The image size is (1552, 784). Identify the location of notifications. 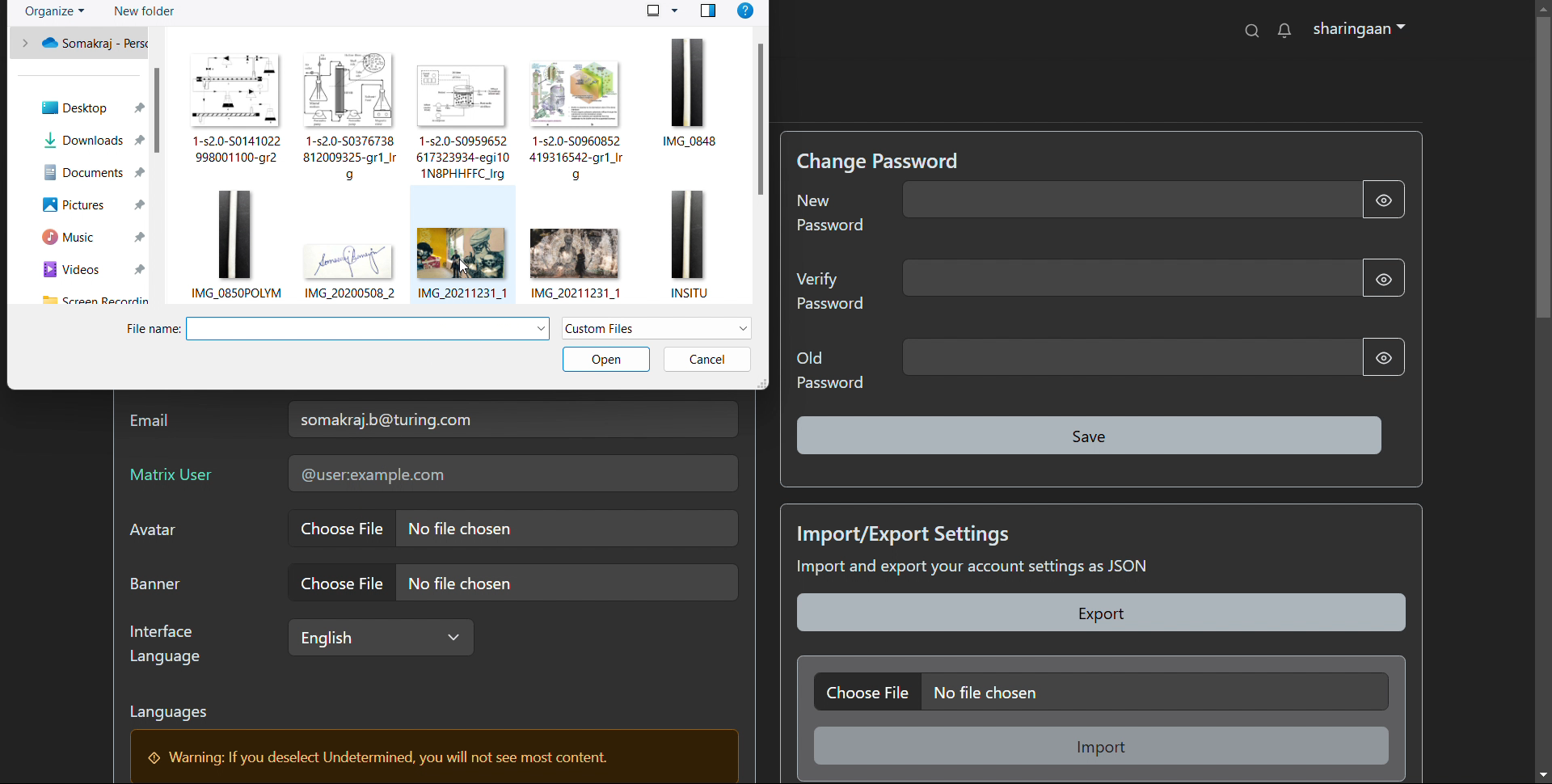
(1284, 30).